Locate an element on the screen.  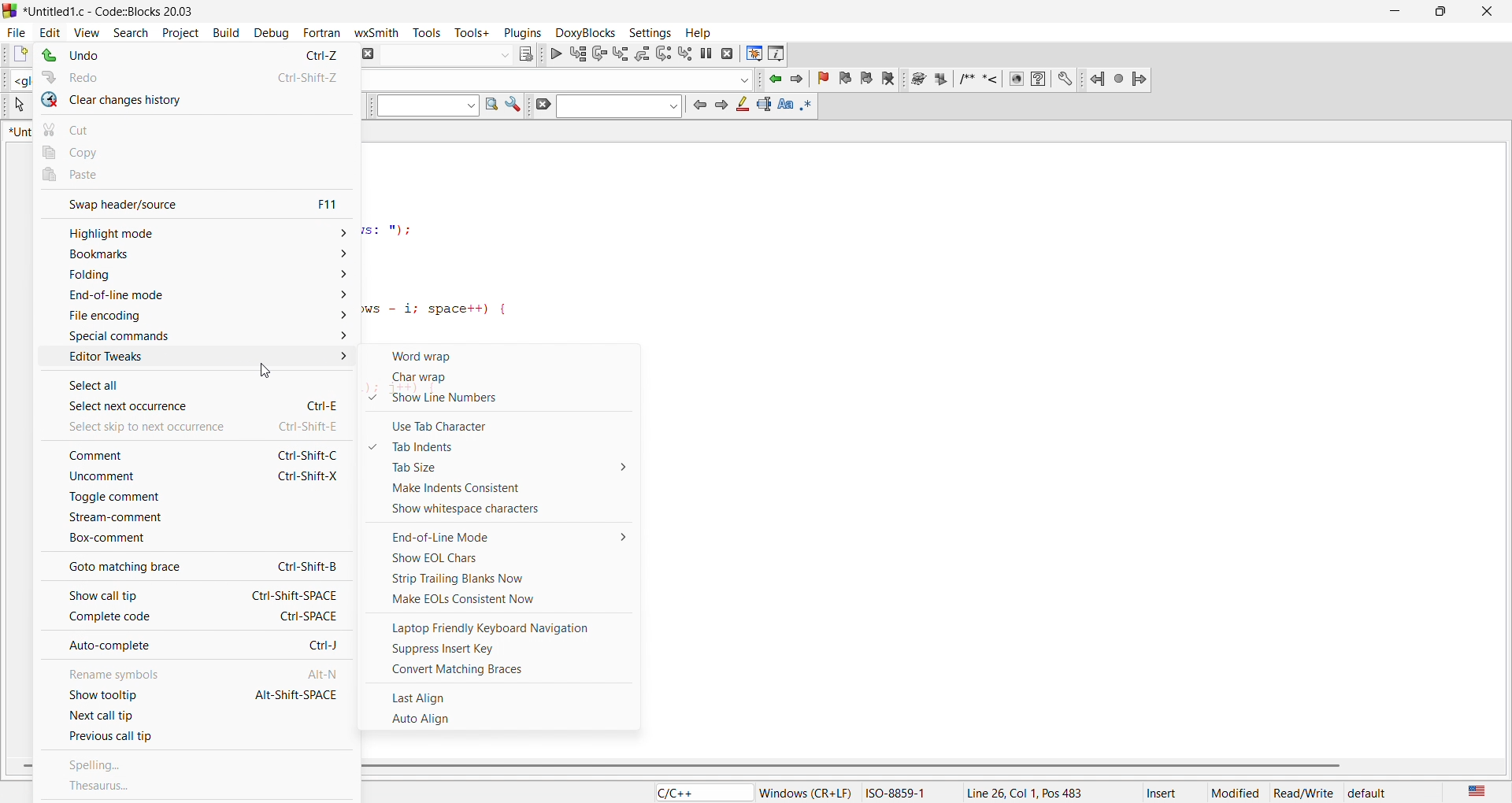
tab size  is located at coordinates (506, 469).